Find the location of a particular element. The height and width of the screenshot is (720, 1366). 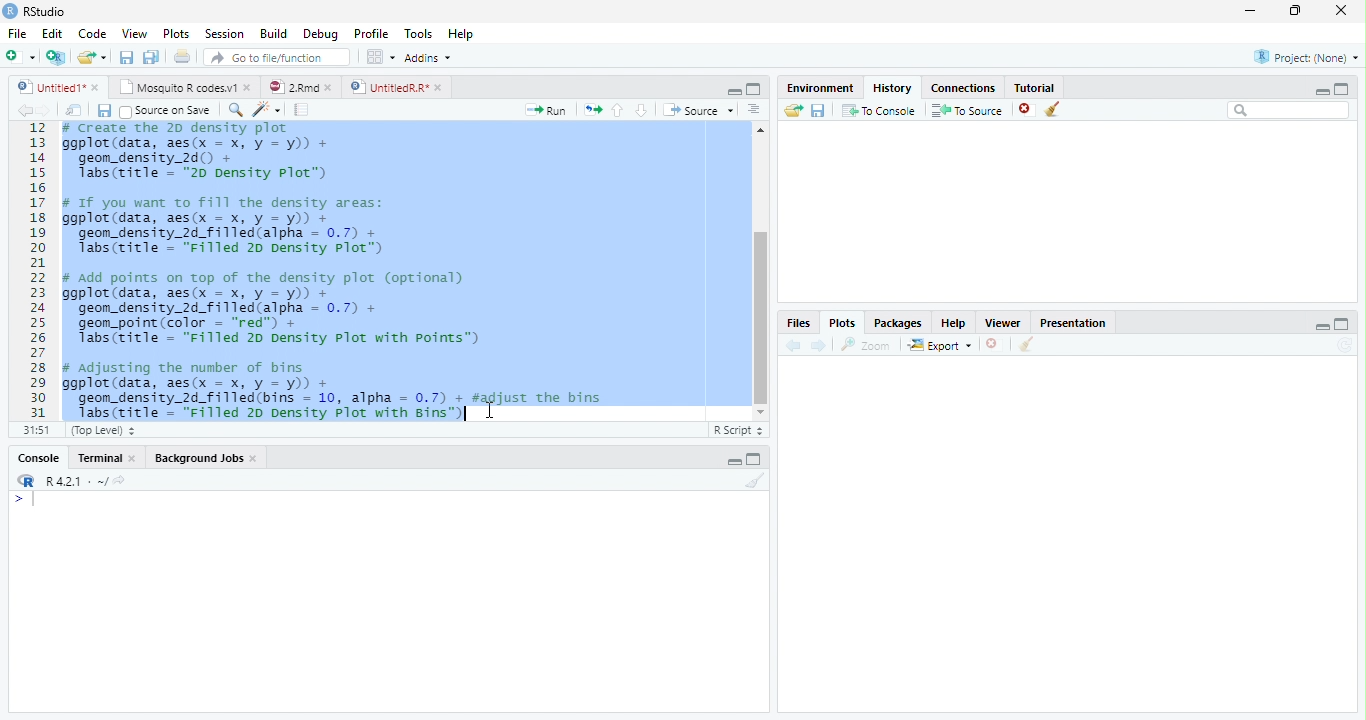

Plots is located at coordinates (175, 33).